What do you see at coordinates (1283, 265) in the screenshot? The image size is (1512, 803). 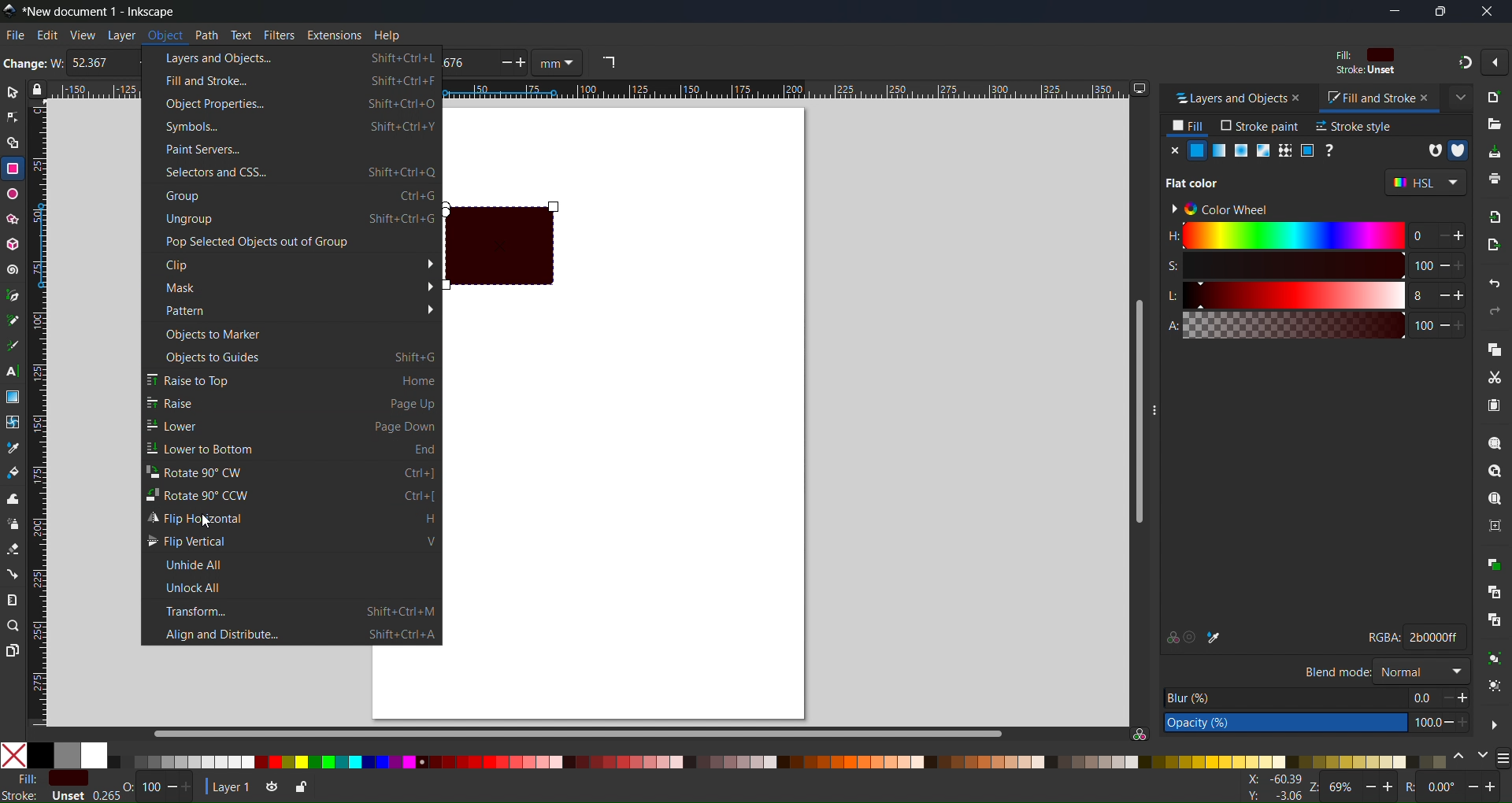 I see `Saturation` at bounding box center [1283, 265].